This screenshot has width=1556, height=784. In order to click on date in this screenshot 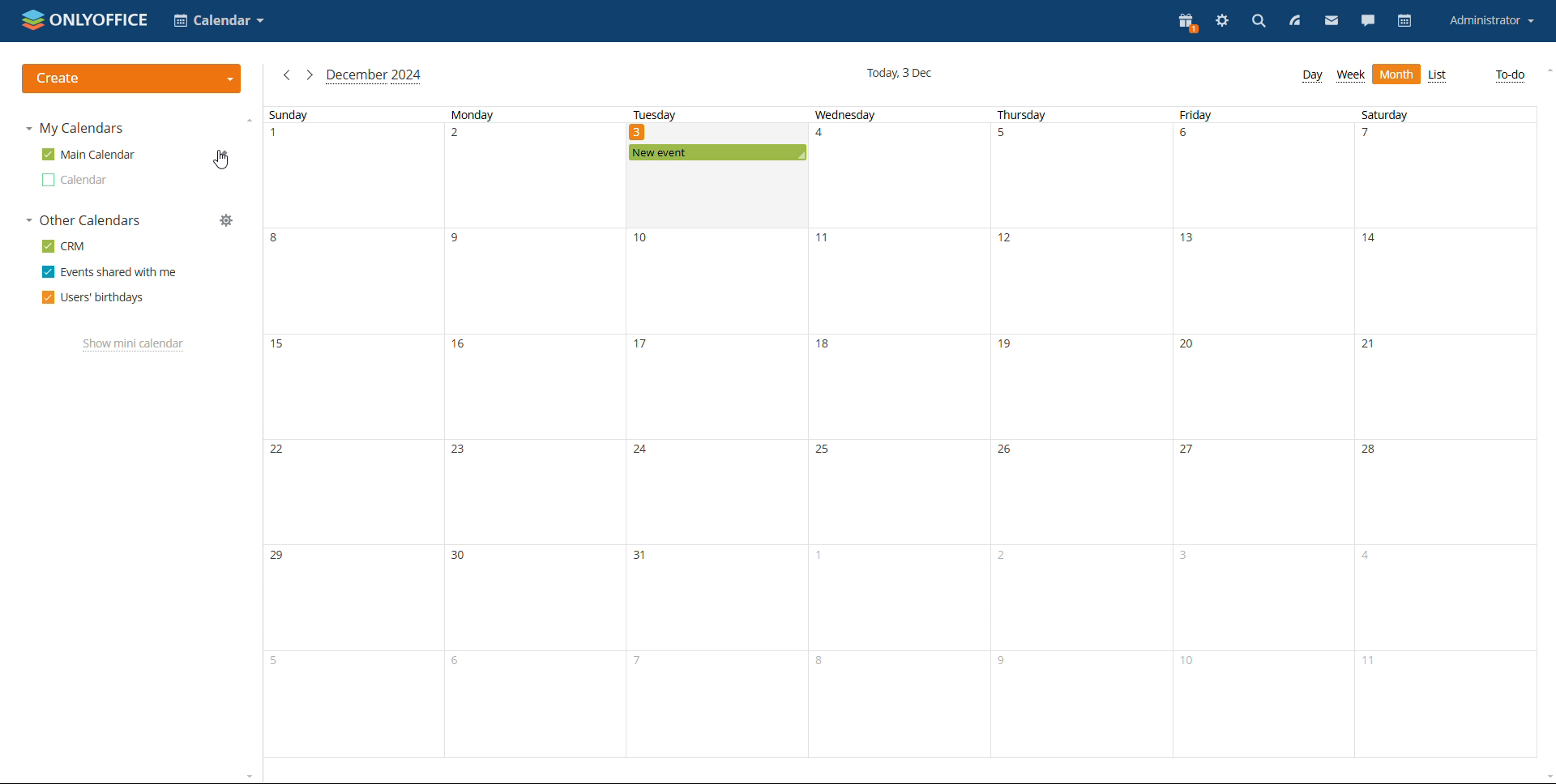, I will do `click(1445, 386)`.